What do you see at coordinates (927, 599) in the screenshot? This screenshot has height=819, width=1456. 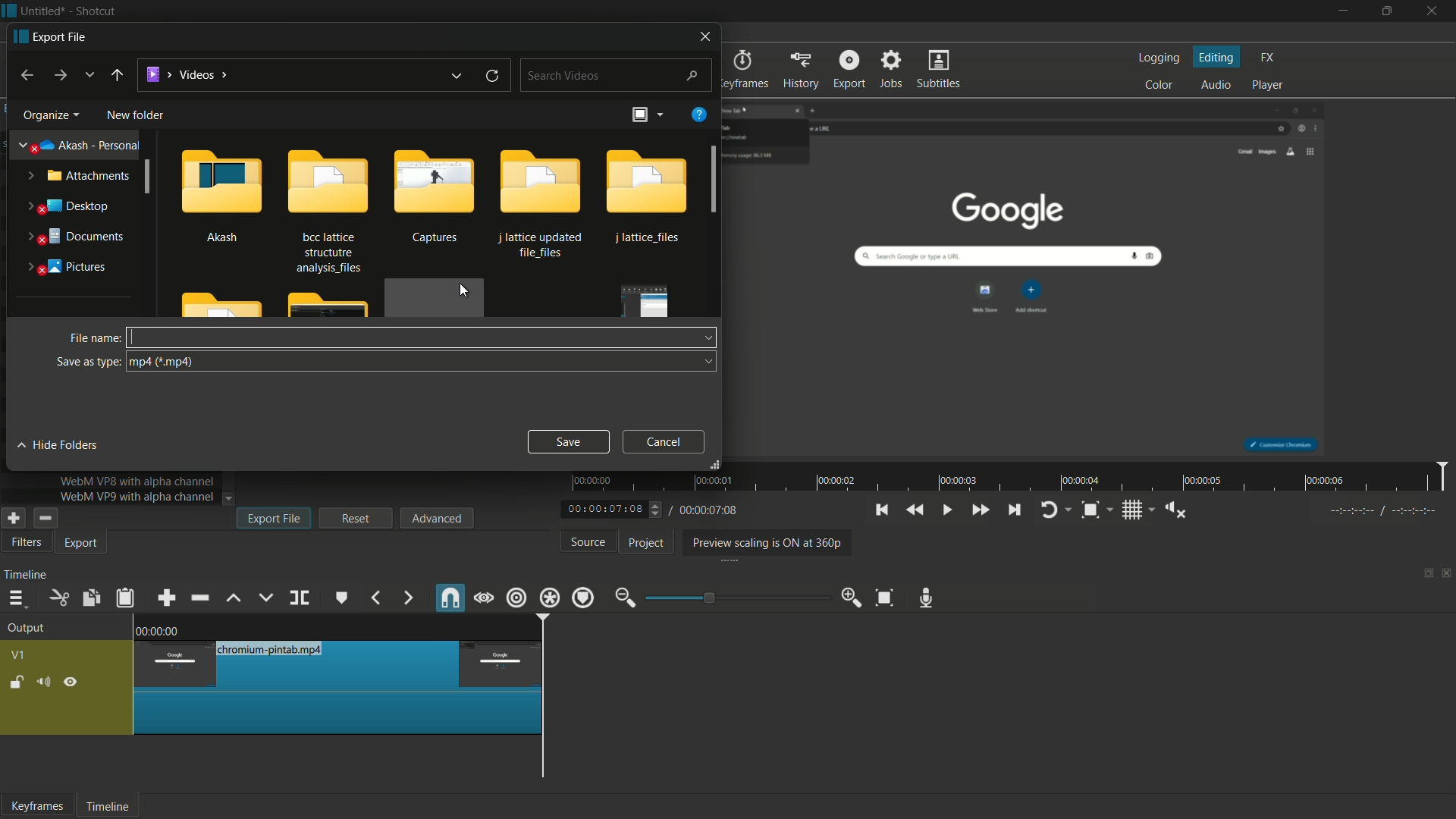 I see `record audio` at bounding box center [927, 599].